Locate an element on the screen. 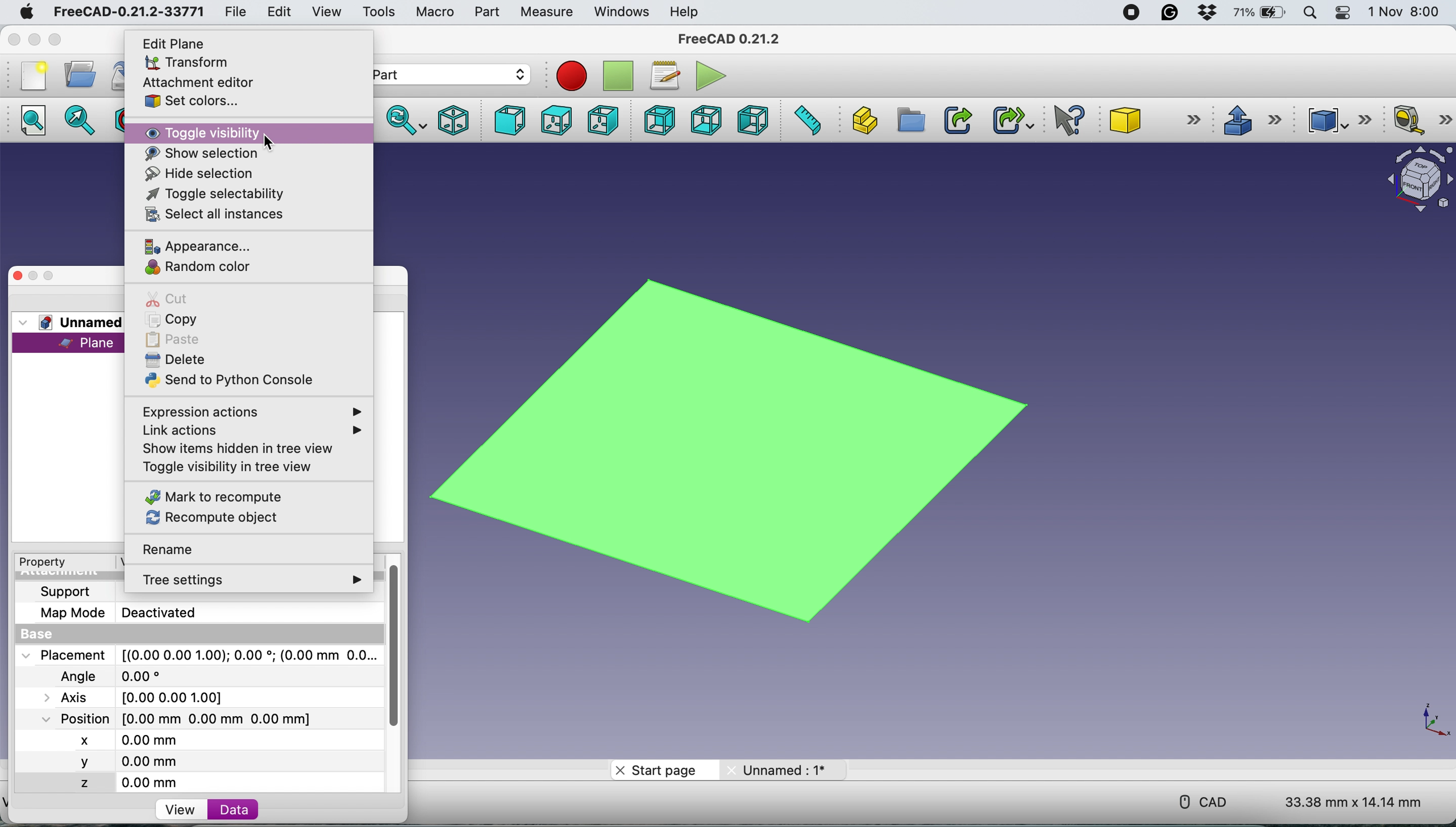 The image size is (1456, 827). y 0.00 mm is located at coordinates (125, 763).